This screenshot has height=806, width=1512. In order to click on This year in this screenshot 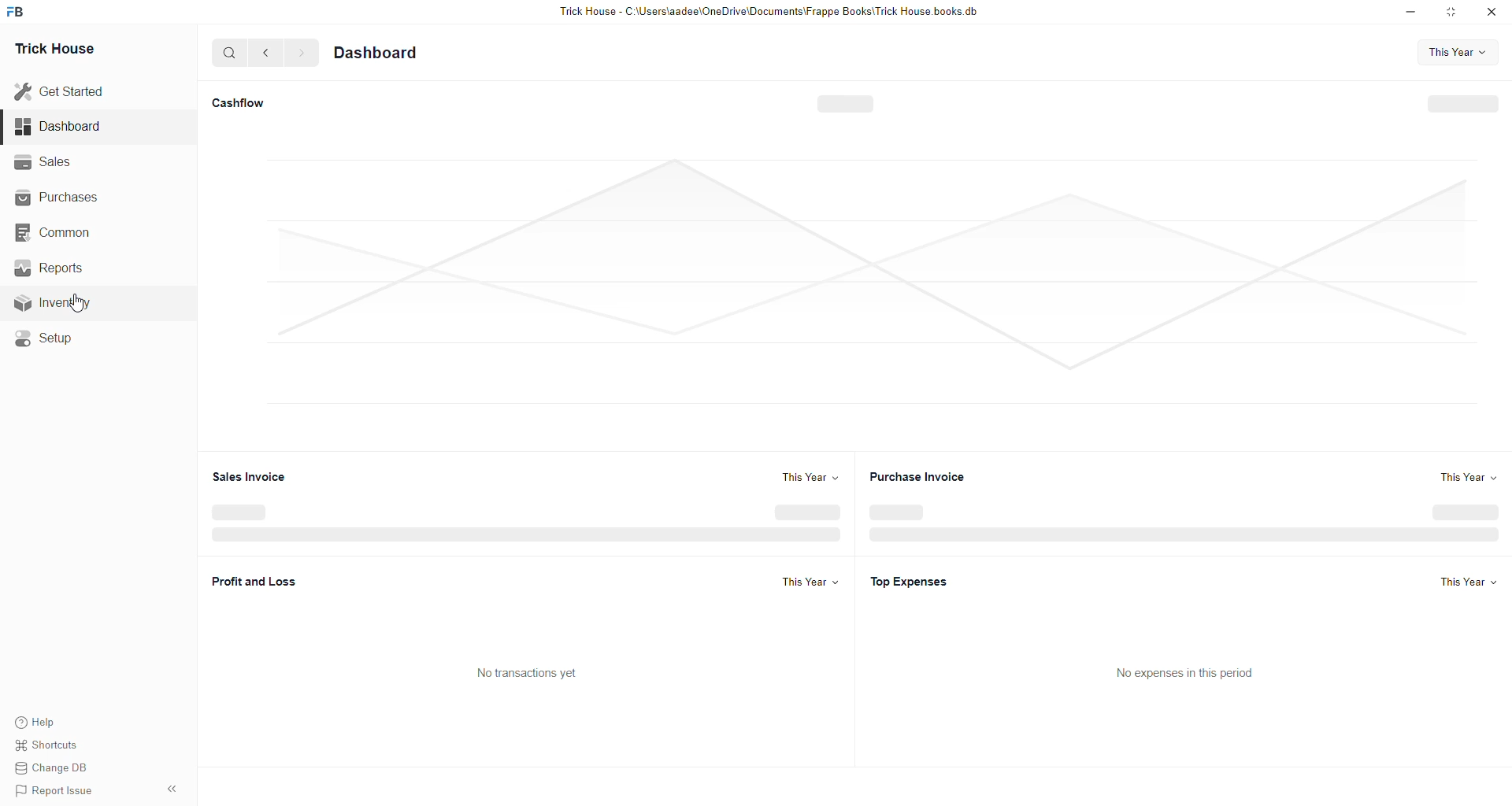, I will do `click(809, 584)`.